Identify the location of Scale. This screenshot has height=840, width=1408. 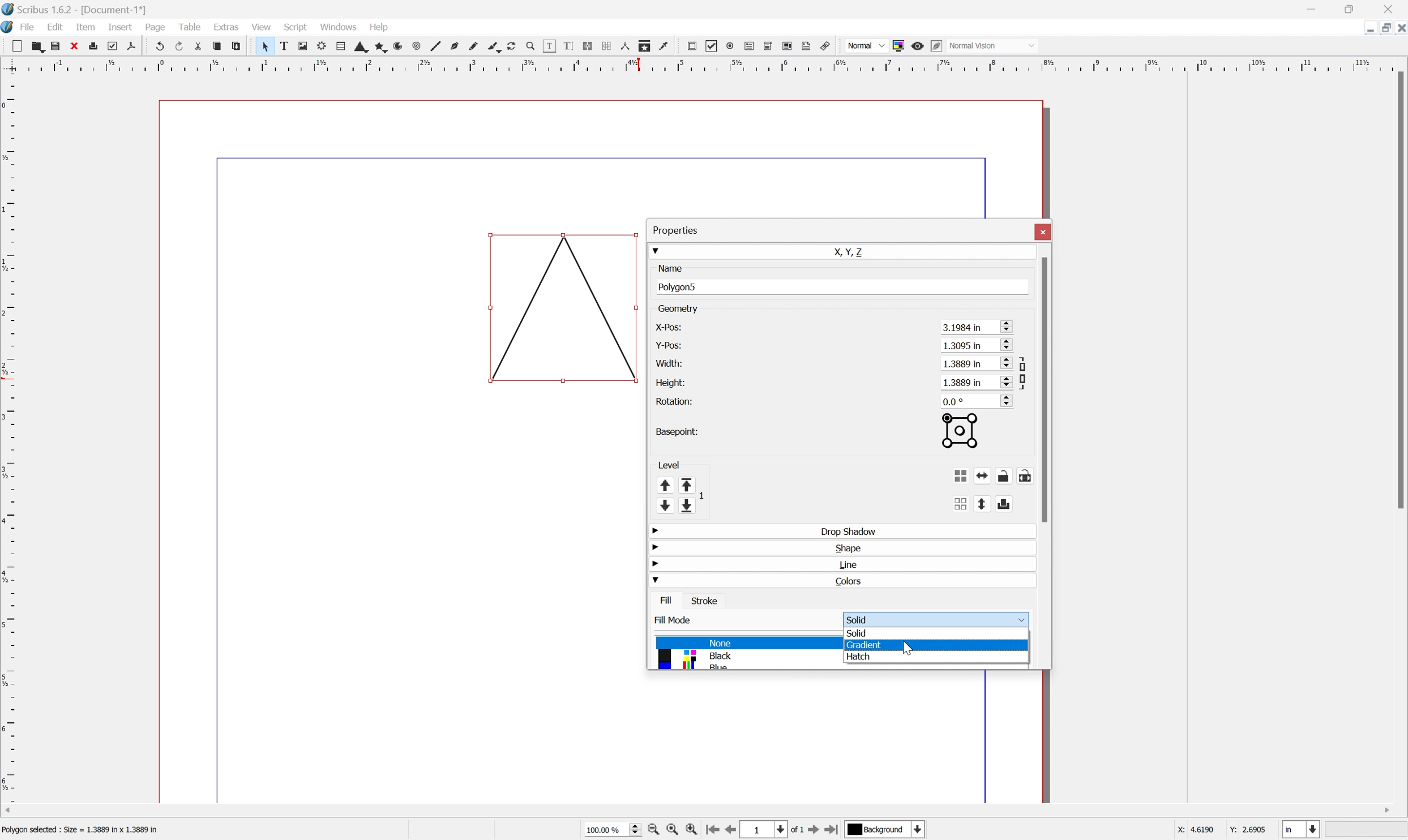
(703, 63).